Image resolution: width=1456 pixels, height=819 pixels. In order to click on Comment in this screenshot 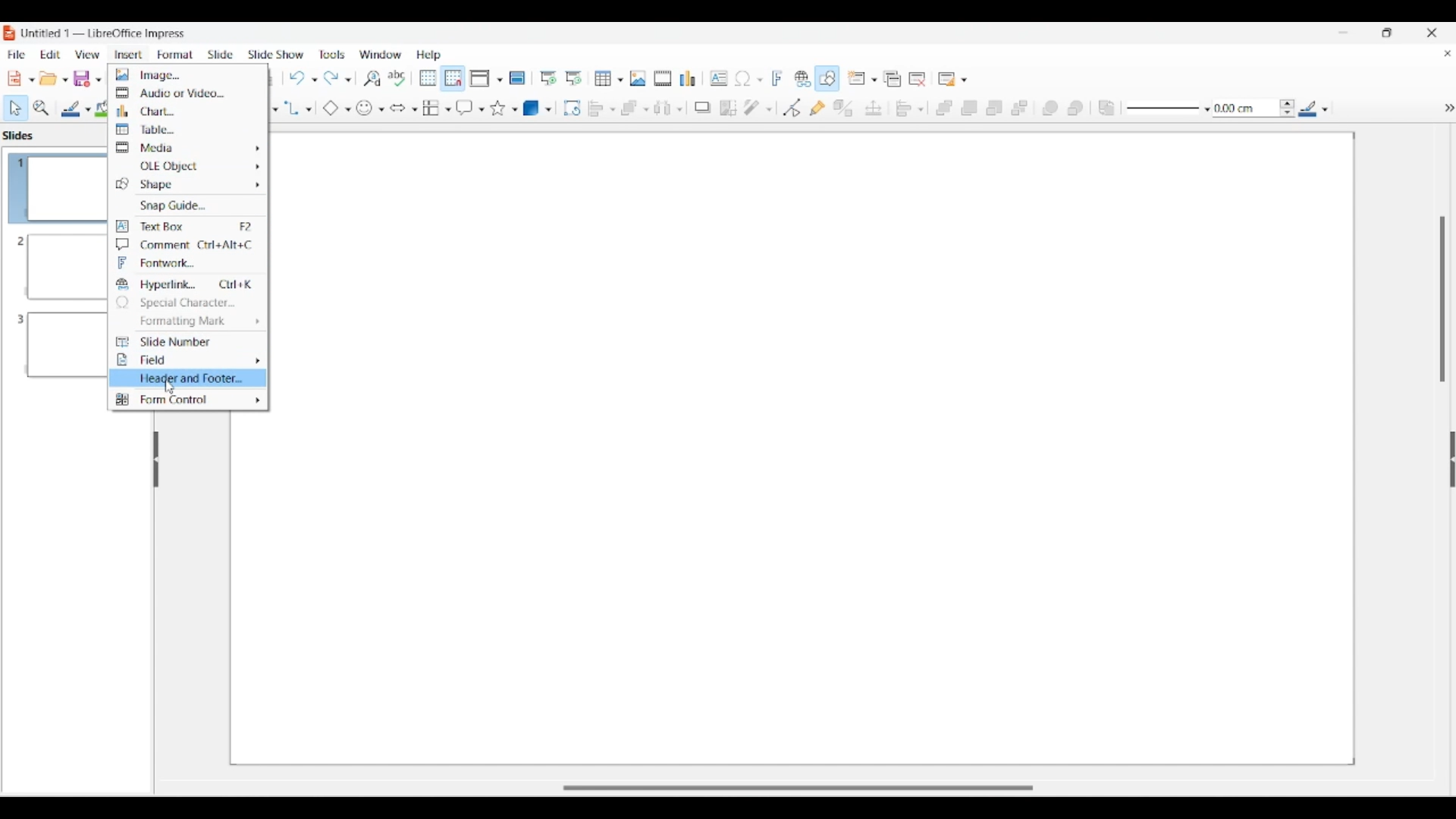, I will do `click(187, 245)`.